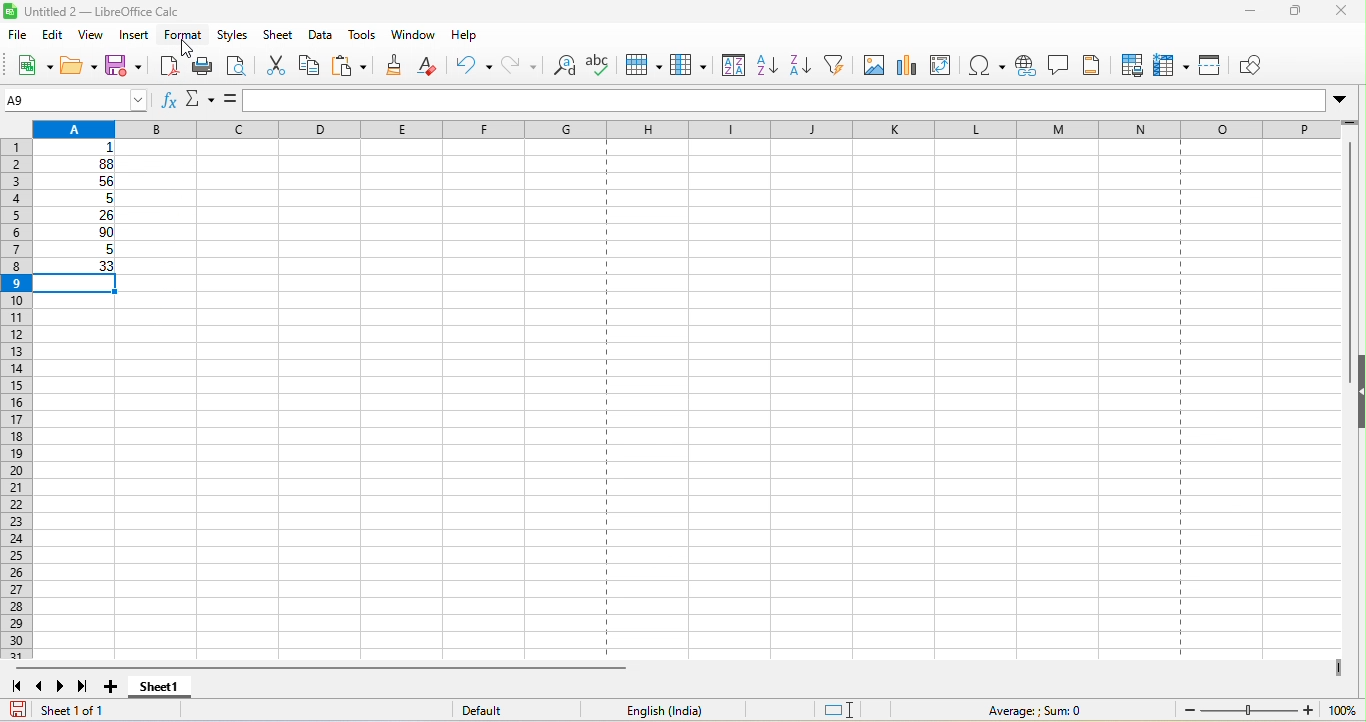  I want to click on 5, so click(81, 199).